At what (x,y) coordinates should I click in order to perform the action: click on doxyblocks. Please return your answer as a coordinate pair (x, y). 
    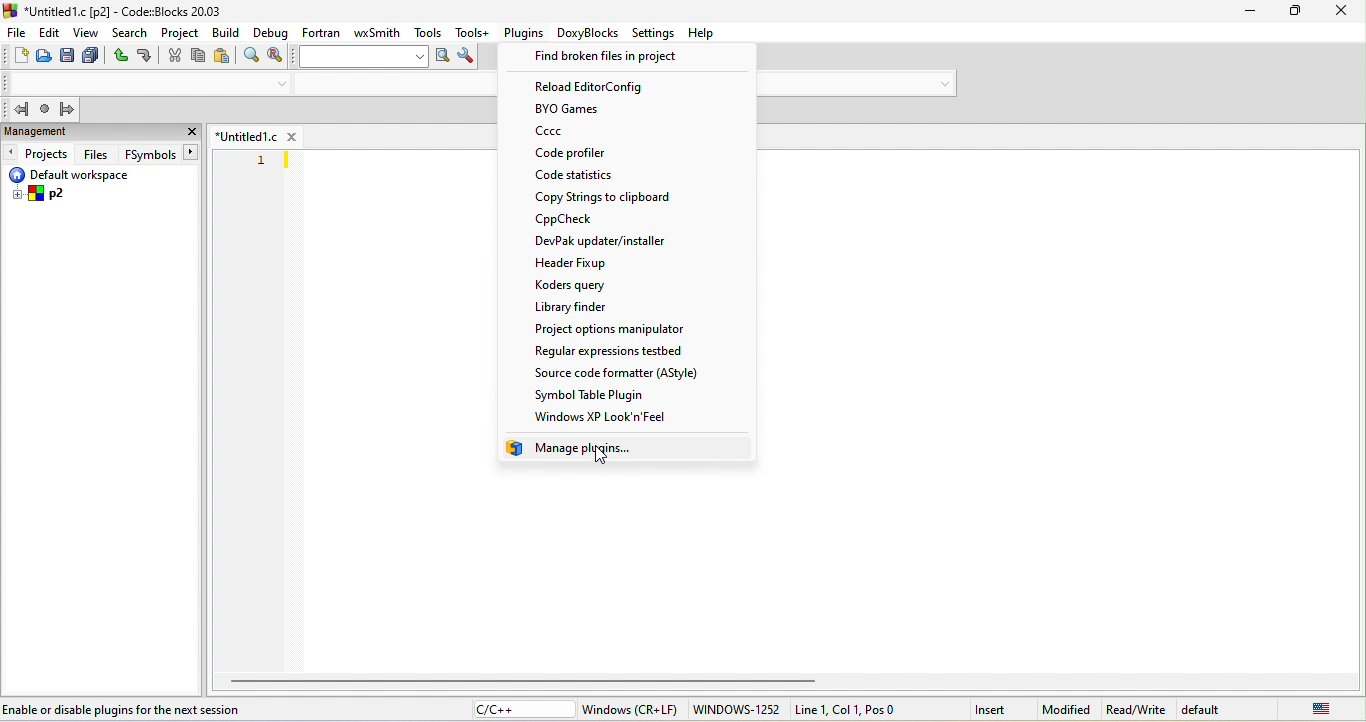
    Looking at the image, I should click on (586, 33).